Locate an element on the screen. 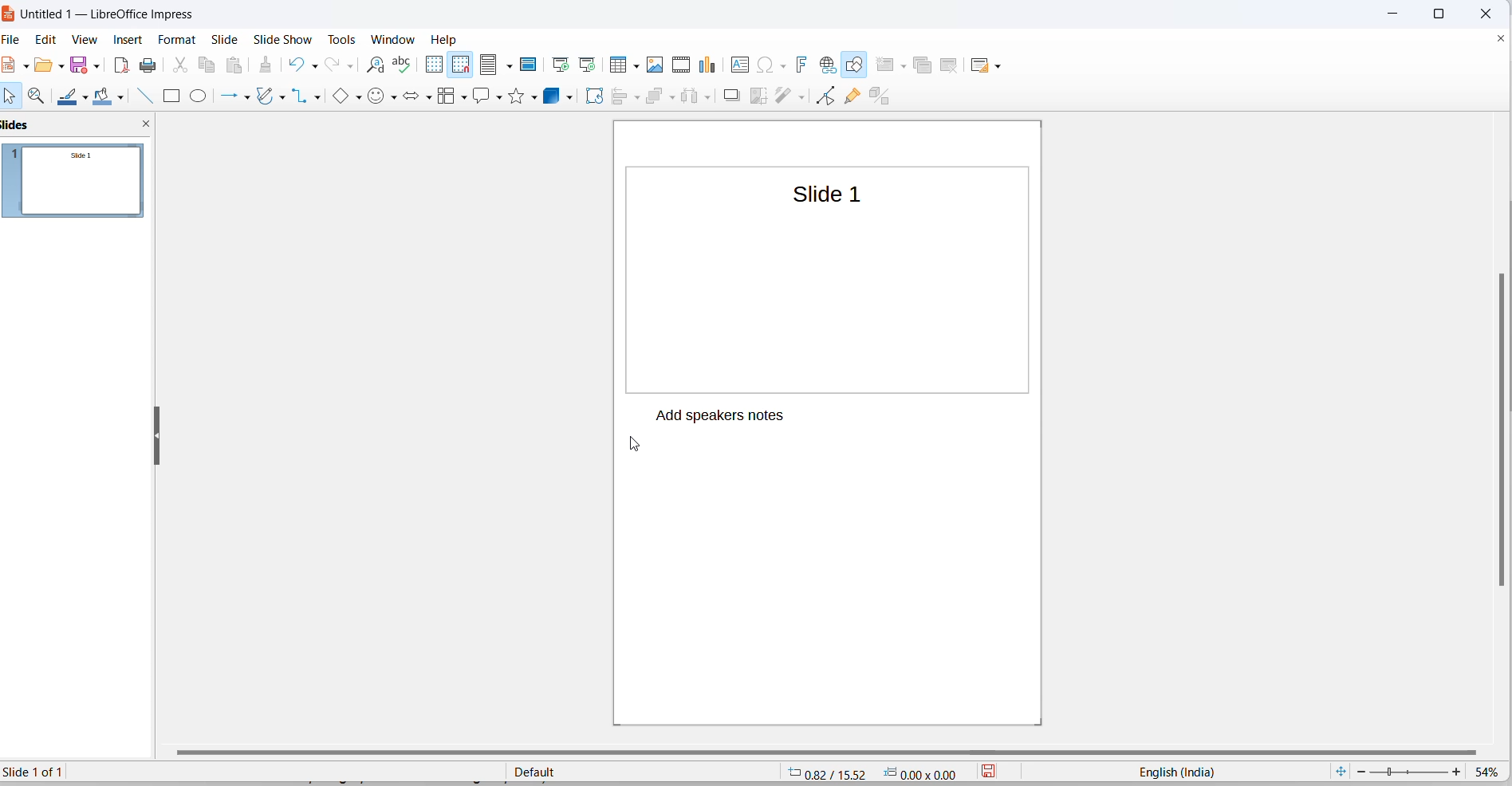  fill colors is located at coordinates (105, 96).